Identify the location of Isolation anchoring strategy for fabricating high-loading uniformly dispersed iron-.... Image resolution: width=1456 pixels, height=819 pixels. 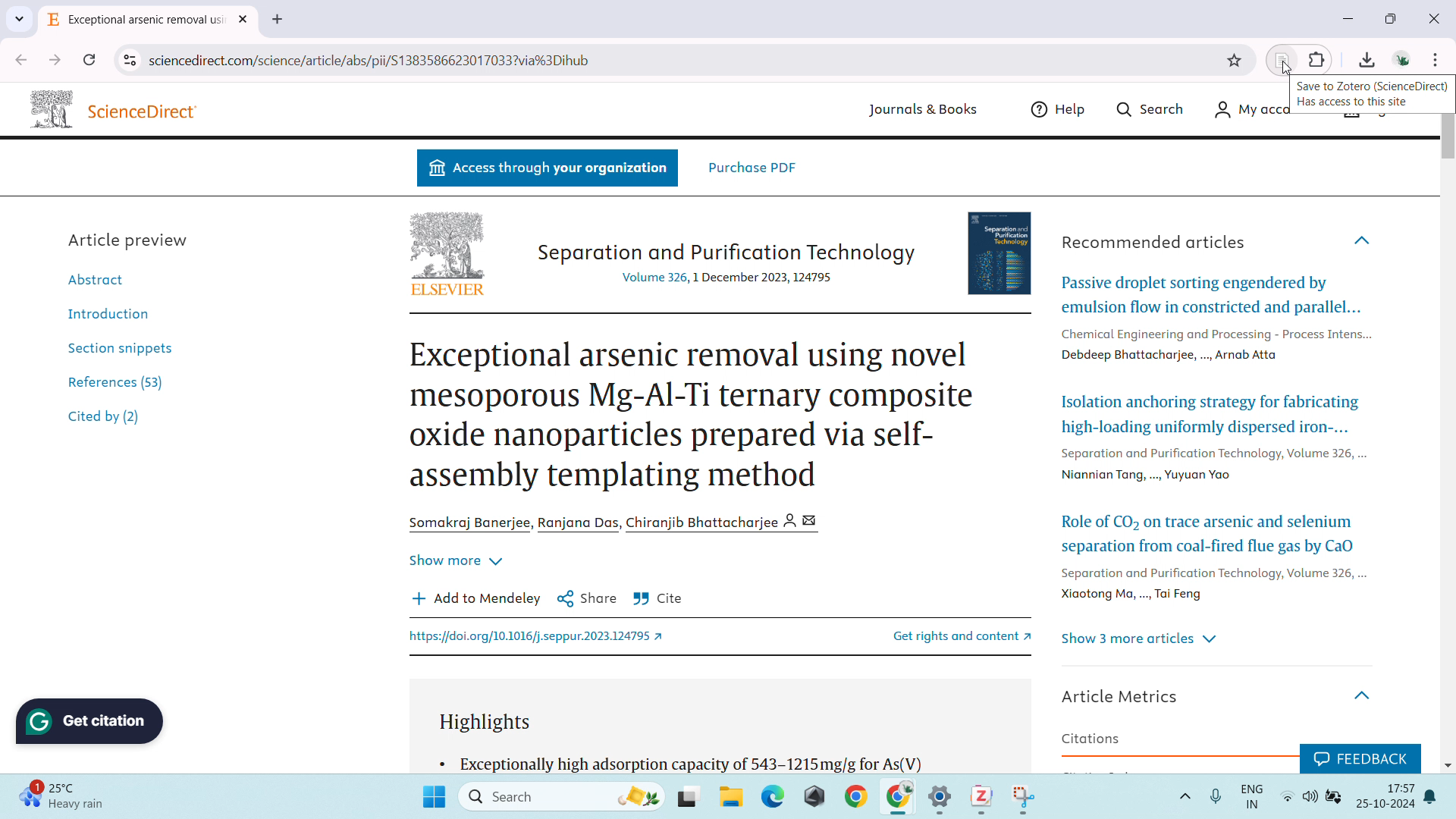
(1209, 414).